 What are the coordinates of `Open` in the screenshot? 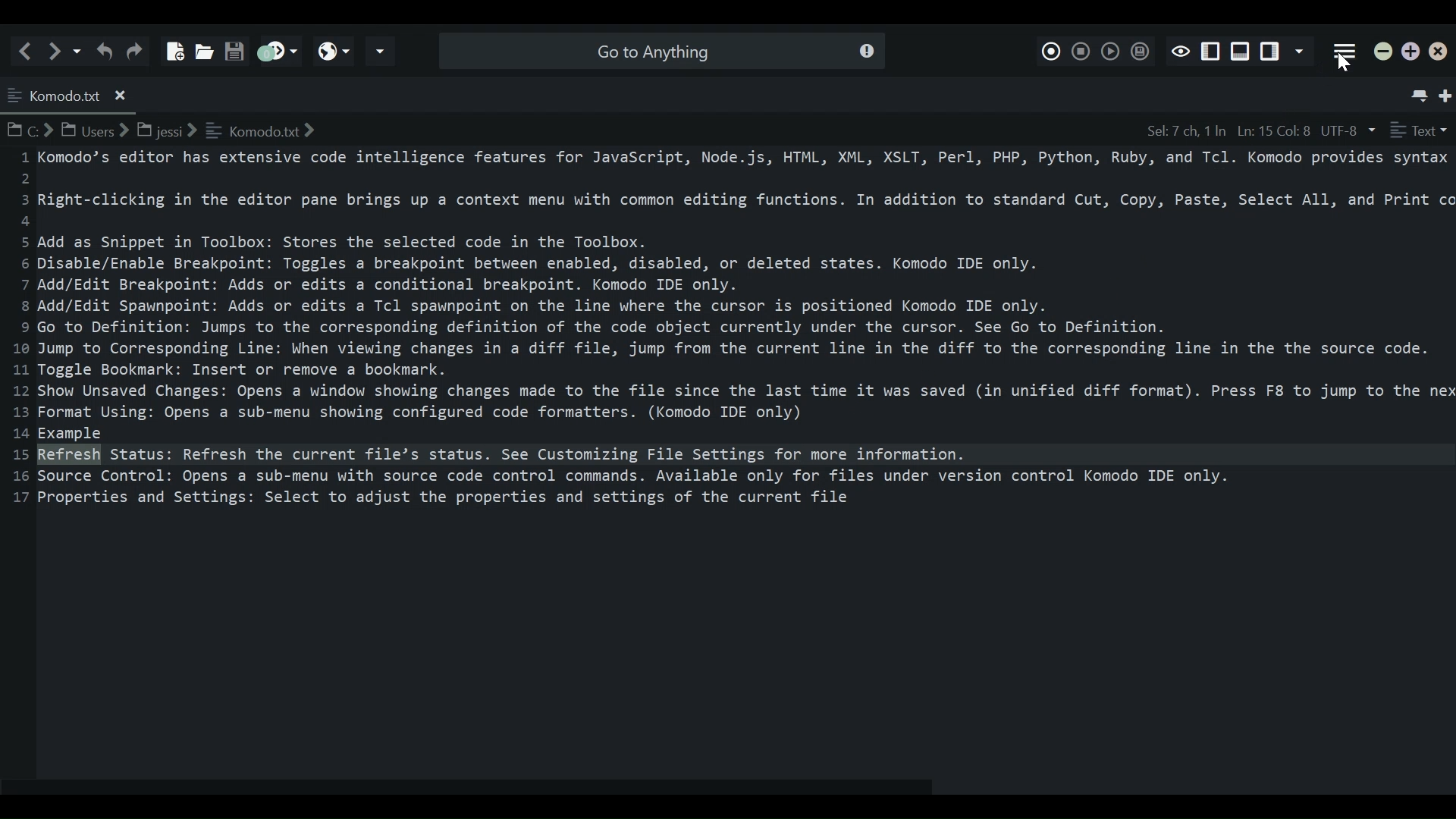 It's located at (202, 47).